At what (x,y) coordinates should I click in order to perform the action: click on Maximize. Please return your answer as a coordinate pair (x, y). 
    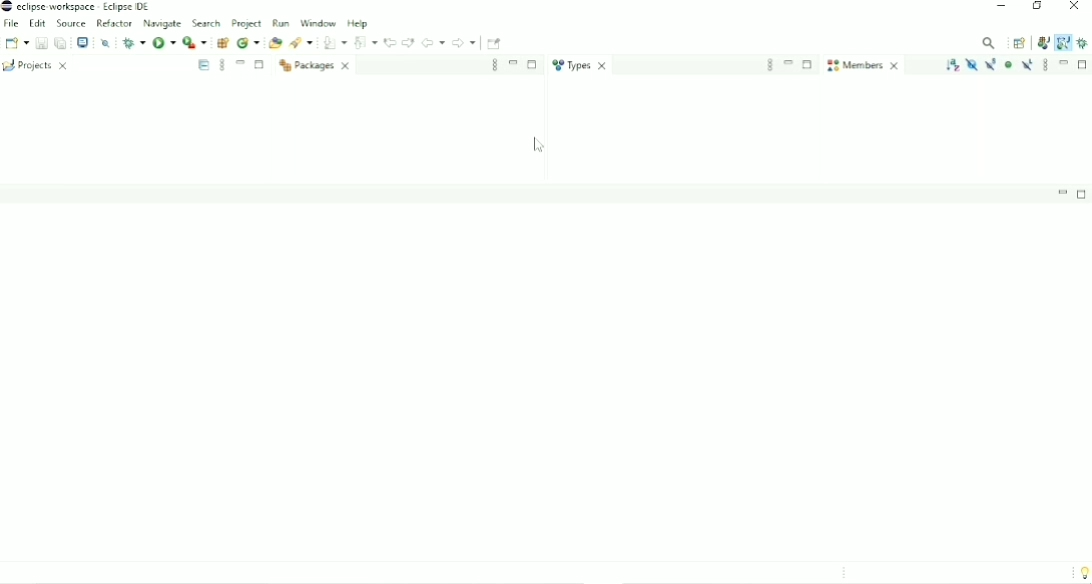
    Looking at the image, I should click on (808, 63).